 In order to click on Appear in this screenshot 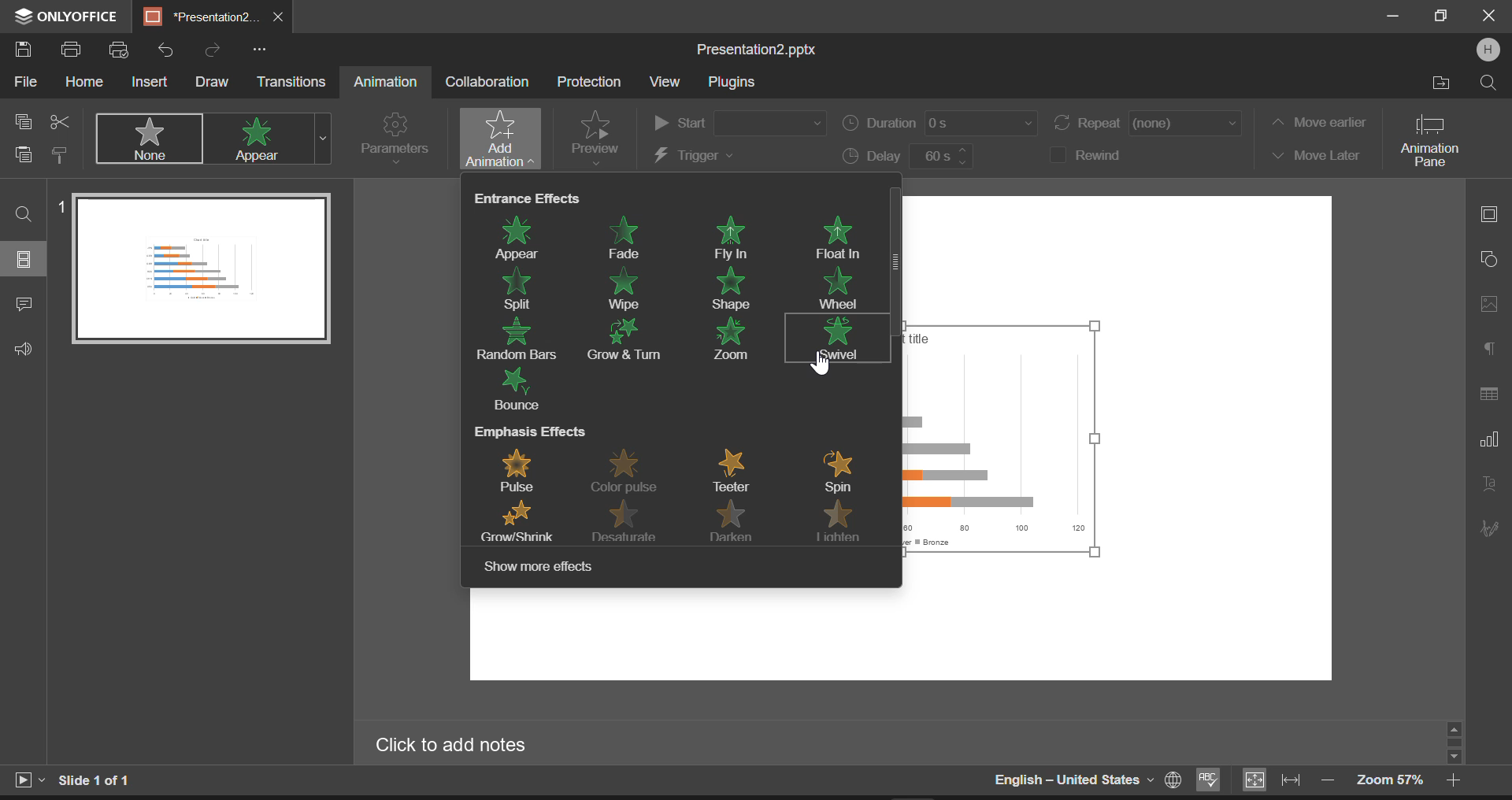, I will do `click(523, 236)`.